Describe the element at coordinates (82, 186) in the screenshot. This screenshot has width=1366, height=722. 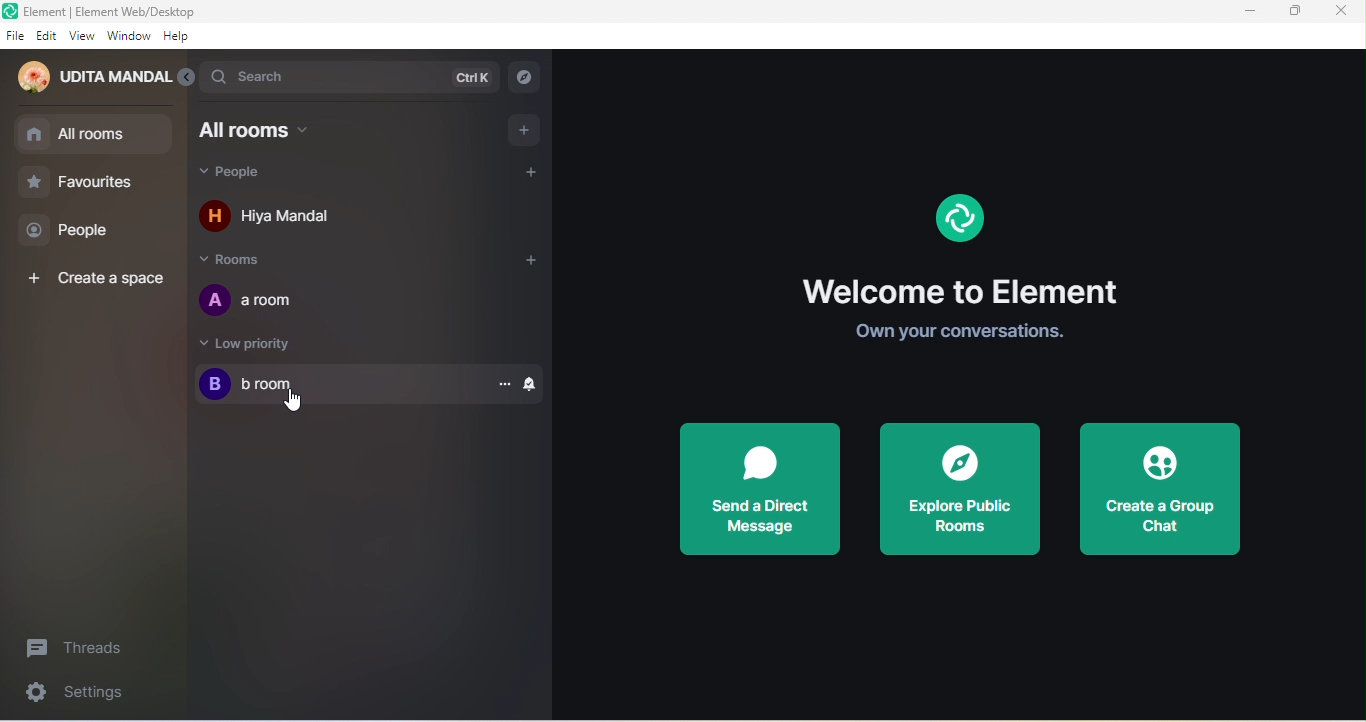
I see `favourites` at that location.